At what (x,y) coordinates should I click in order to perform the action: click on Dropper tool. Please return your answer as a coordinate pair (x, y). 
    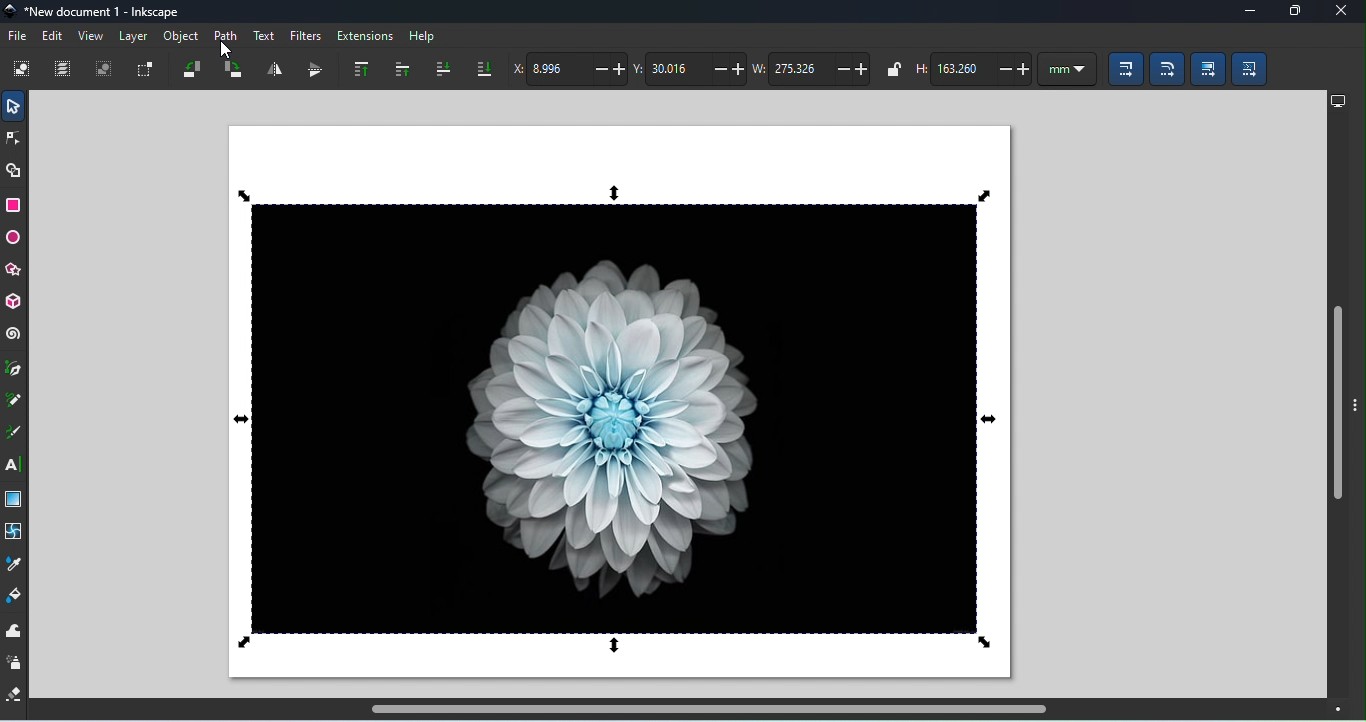
    Looking at the image, I should click on (15, 564).